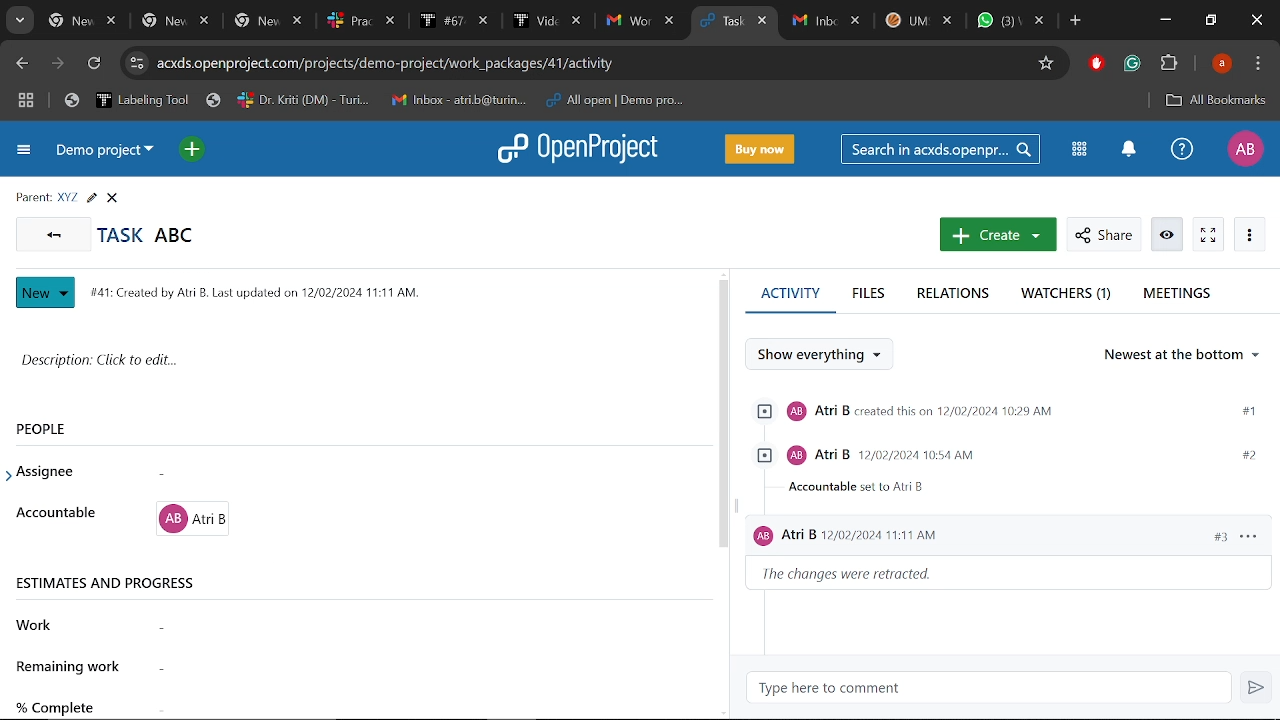 The height and width of the screenshot is (720, 1280). I want to click on , so click(1102, 234).